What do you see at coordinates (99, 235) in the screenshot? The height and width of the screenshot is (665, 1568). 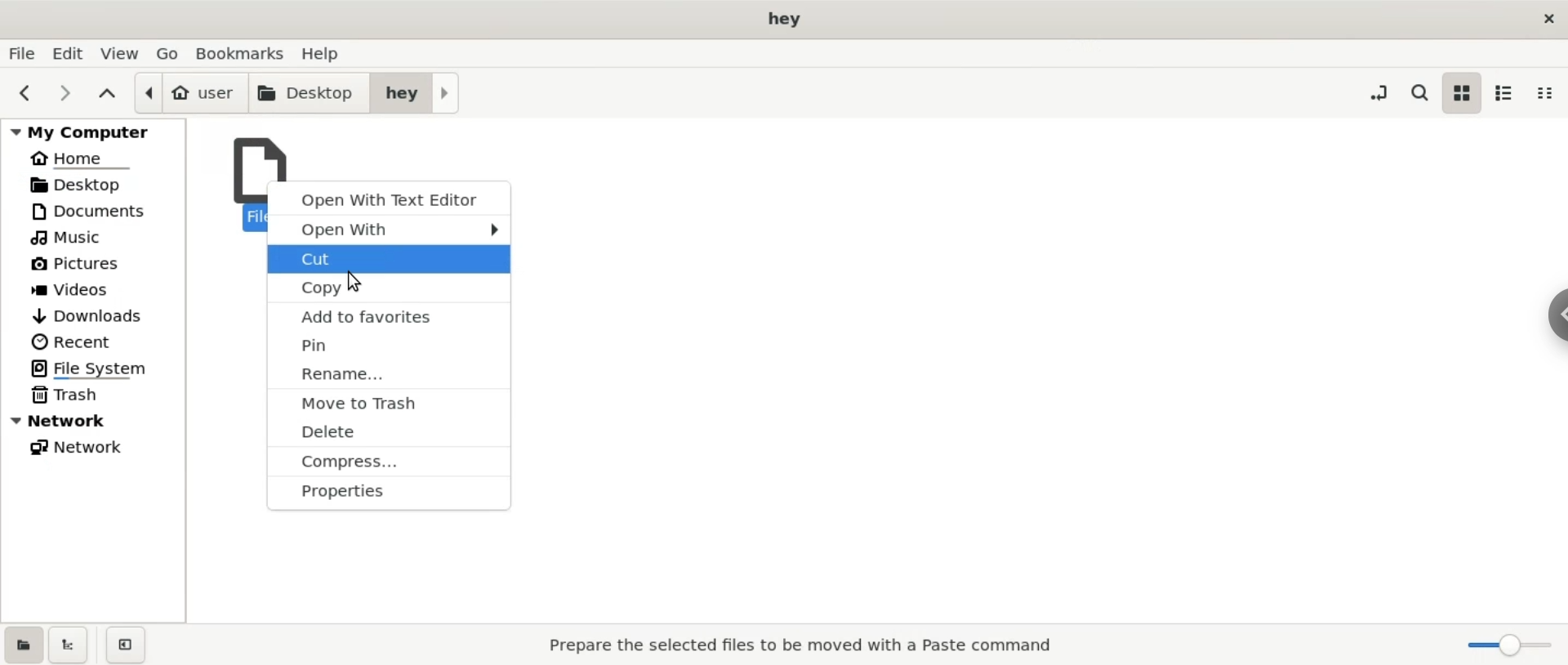 I see `music` at bounding box center [99, 235].